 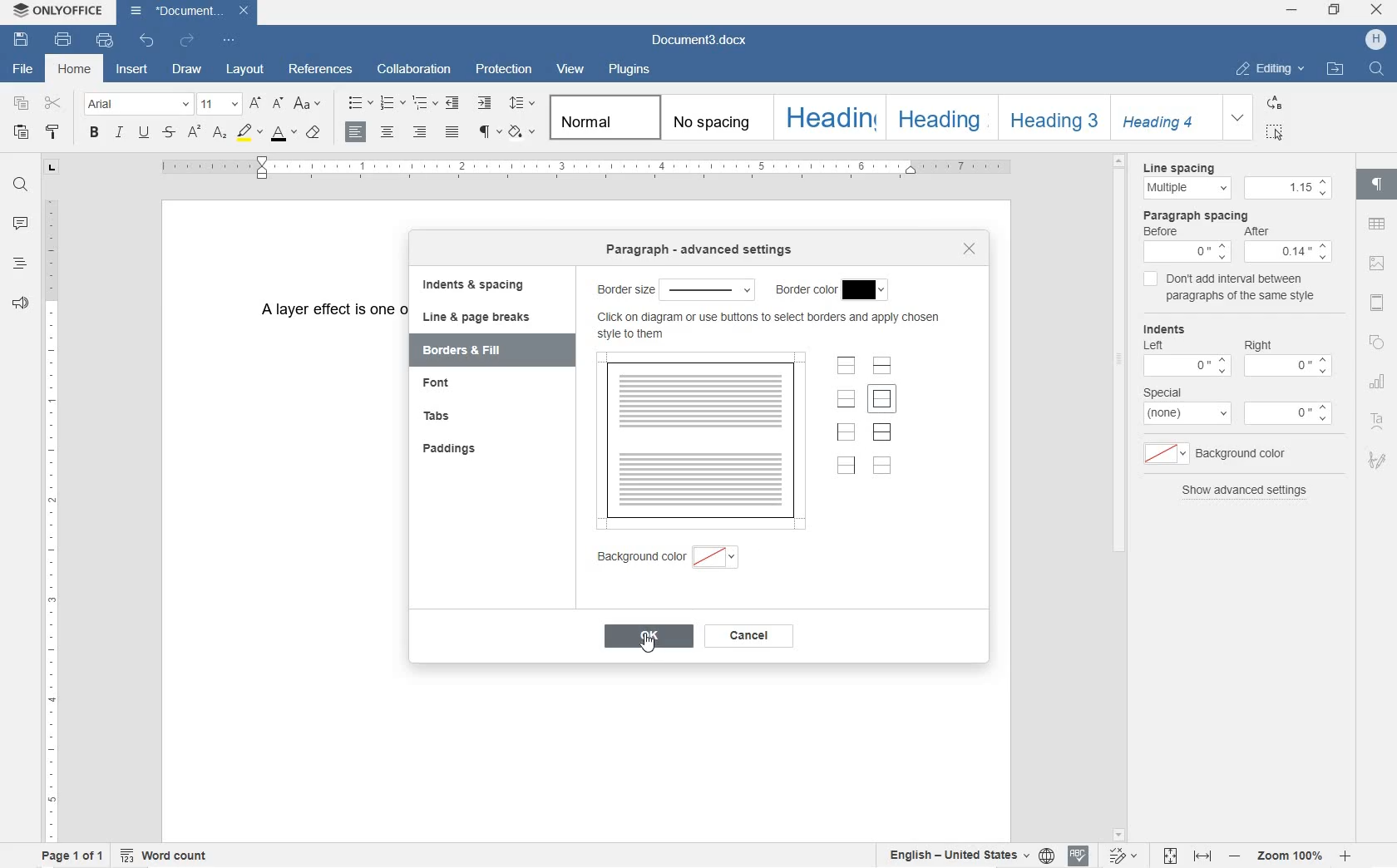 I want to click on EDITING, so click(x=1271, y=69).